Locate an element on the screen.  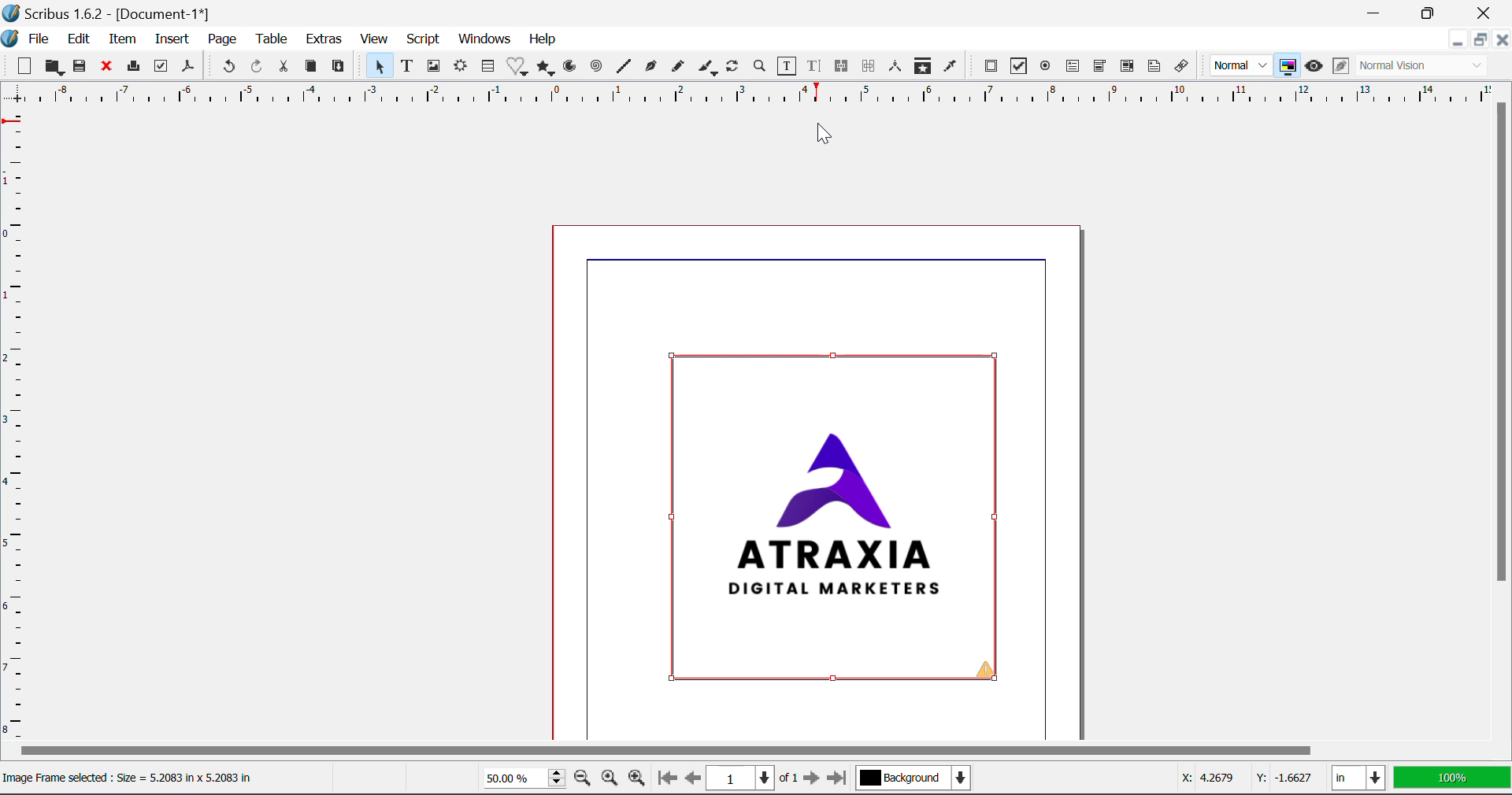
Close is located at coordinates (106, 67).